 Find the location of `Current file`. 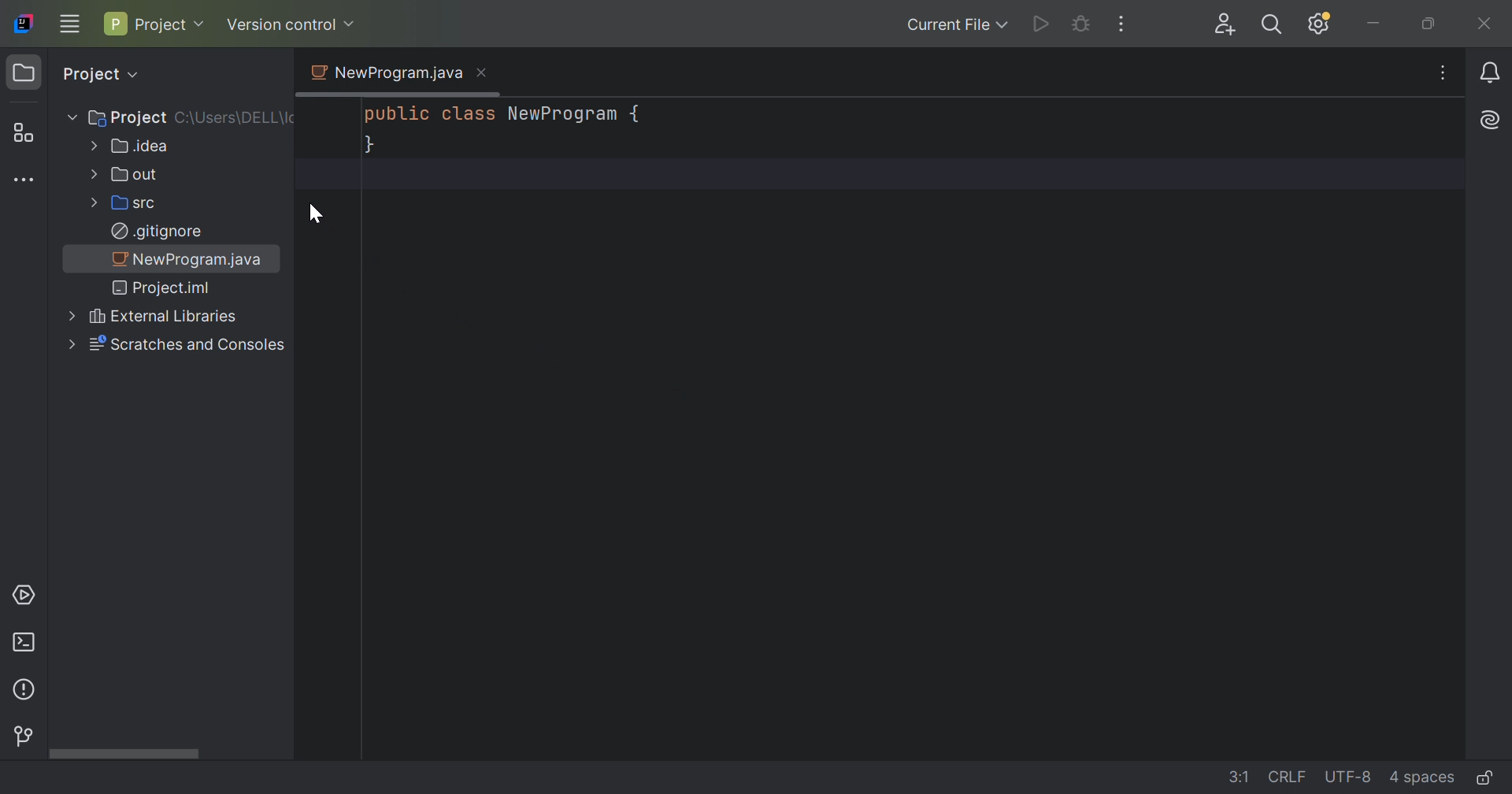

Current file is located at coordinates (944, 27).